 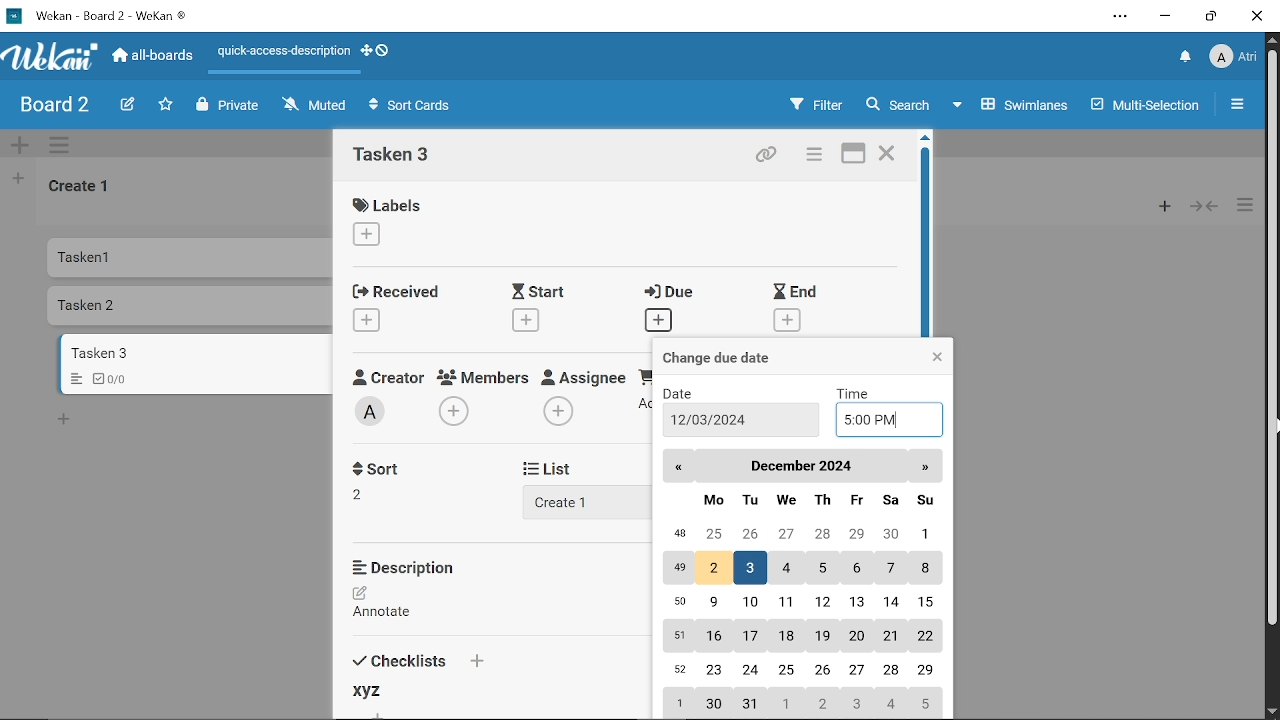 What do you see at coordinates (1209, 19) in the screenshot?
I see `Restore down` at bounding box center [1209, 19].